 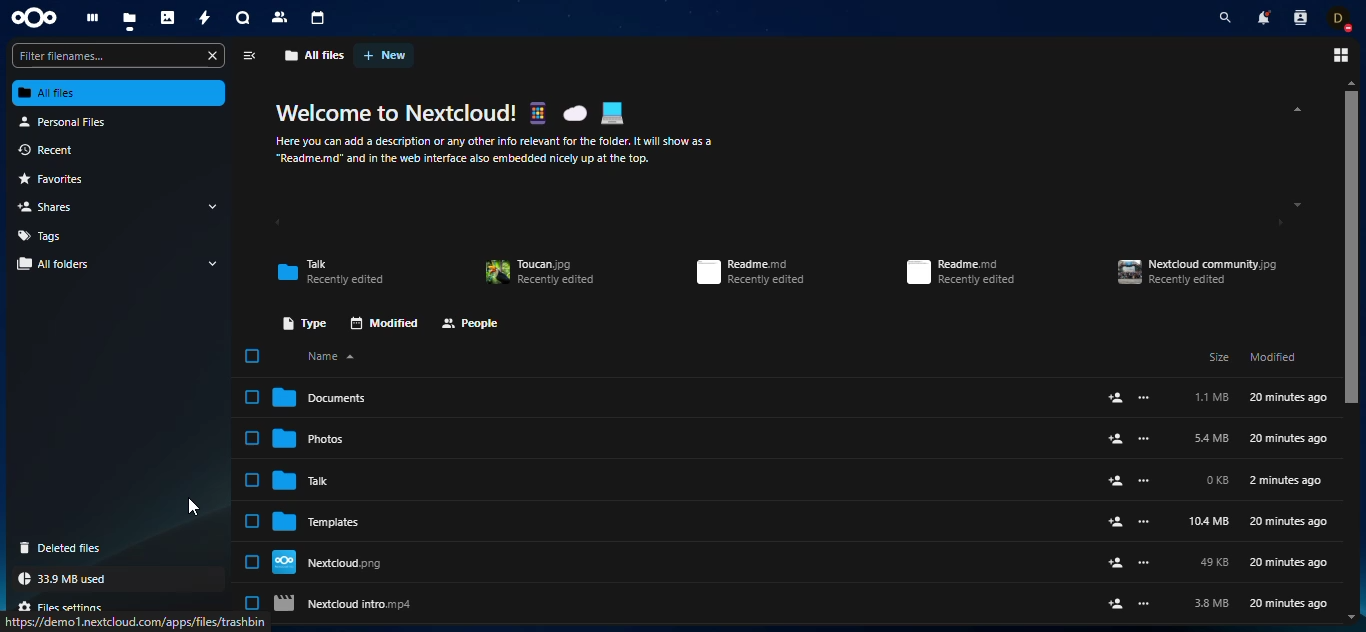 I want to click on 20 minutes ago, so click(x=1289, y=562).